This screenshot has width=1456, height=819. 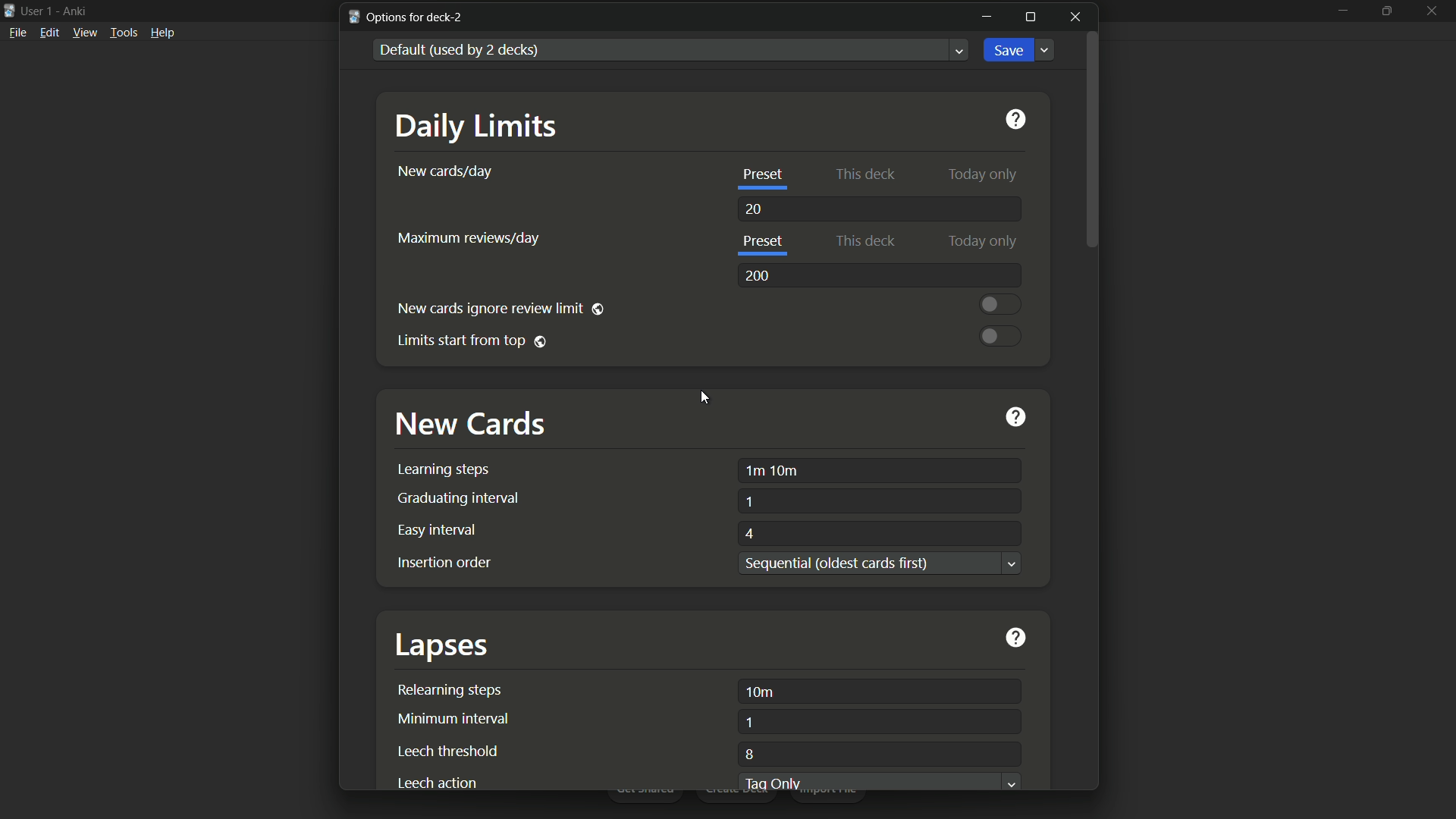 I want to click on default used by 2 decks, so click(x=657, y=50).